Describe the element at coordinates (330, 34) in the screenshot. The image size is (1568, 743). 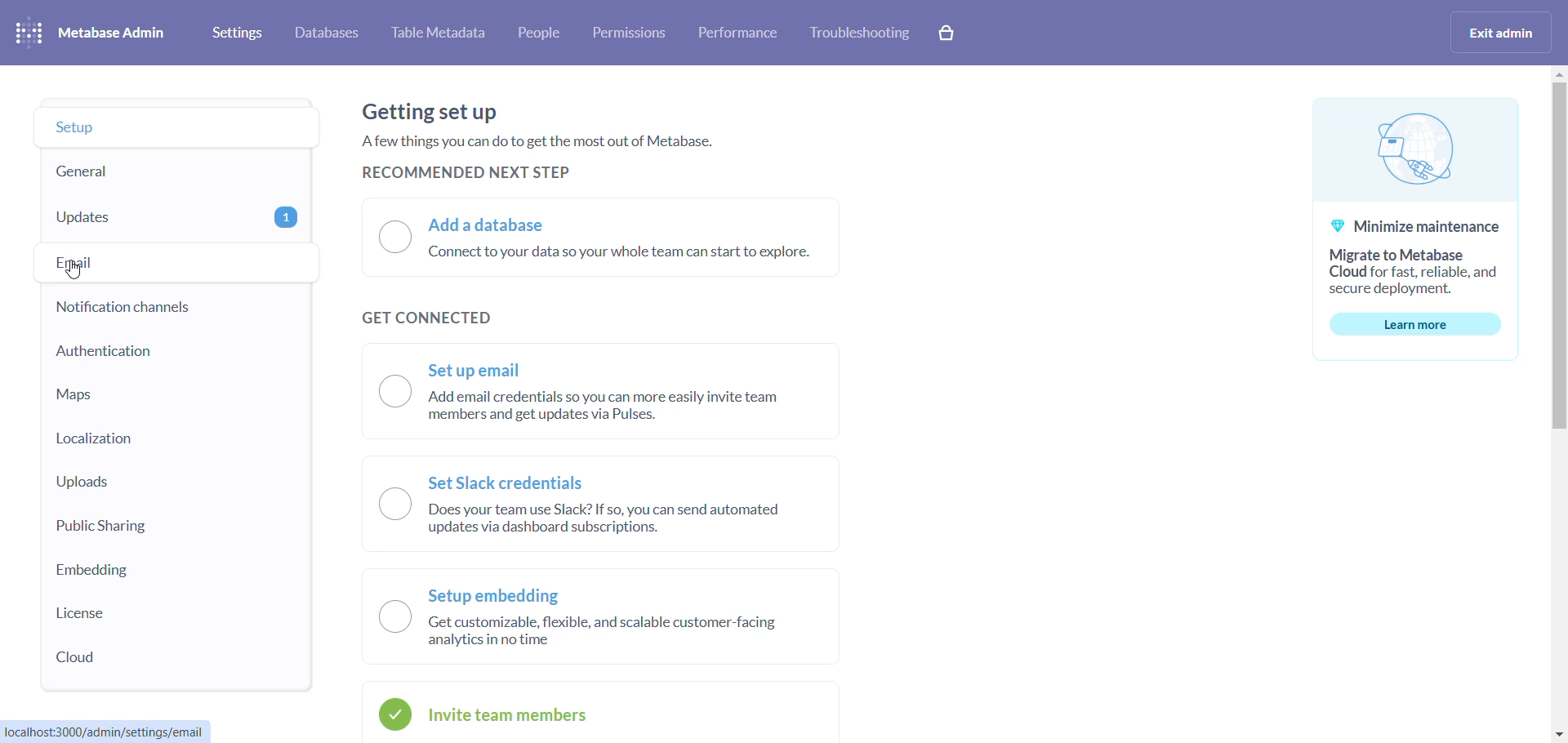
I see `databases` at that location.